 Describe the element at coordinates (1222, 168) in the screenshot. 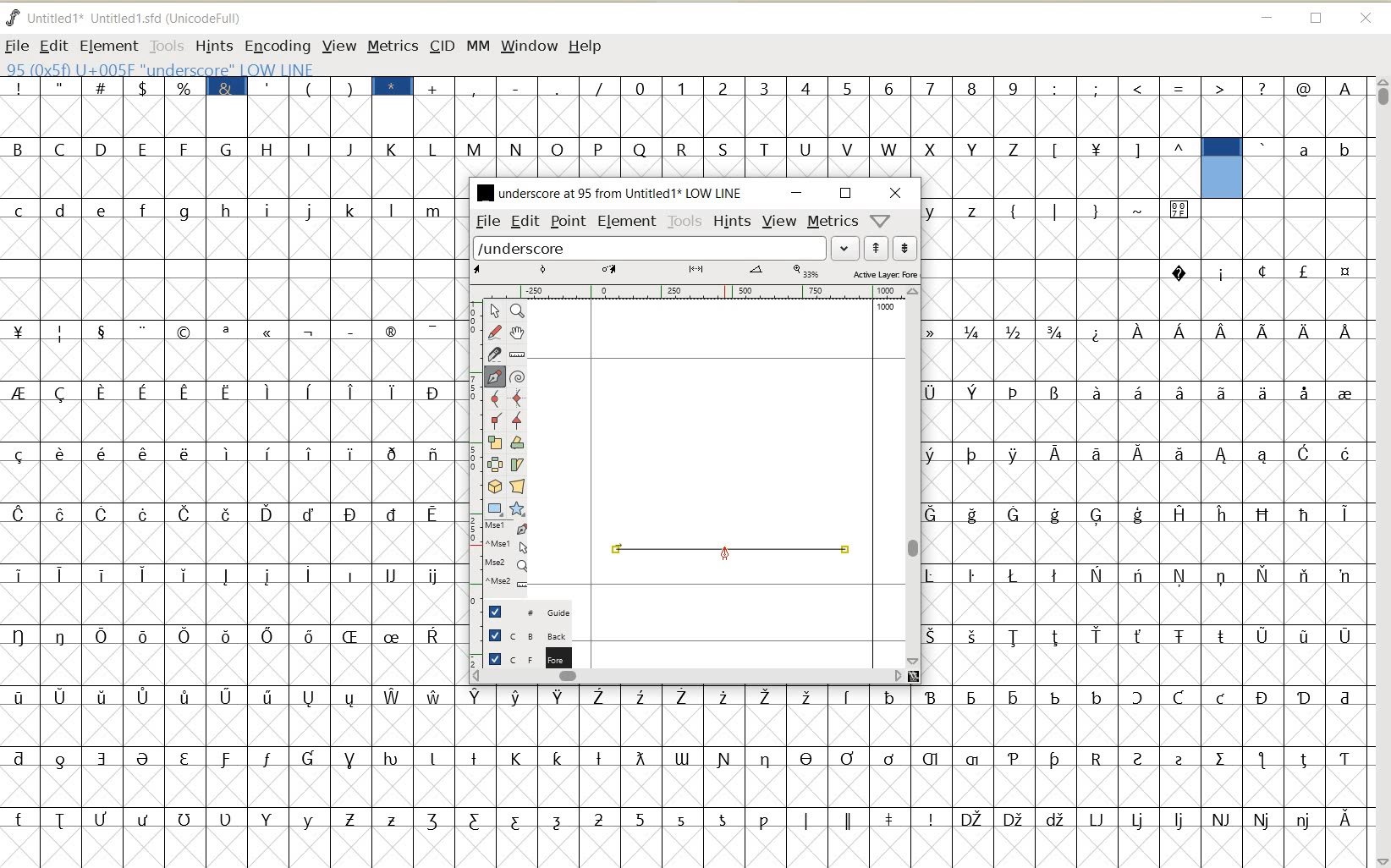

I see `glyph selected` at that location.